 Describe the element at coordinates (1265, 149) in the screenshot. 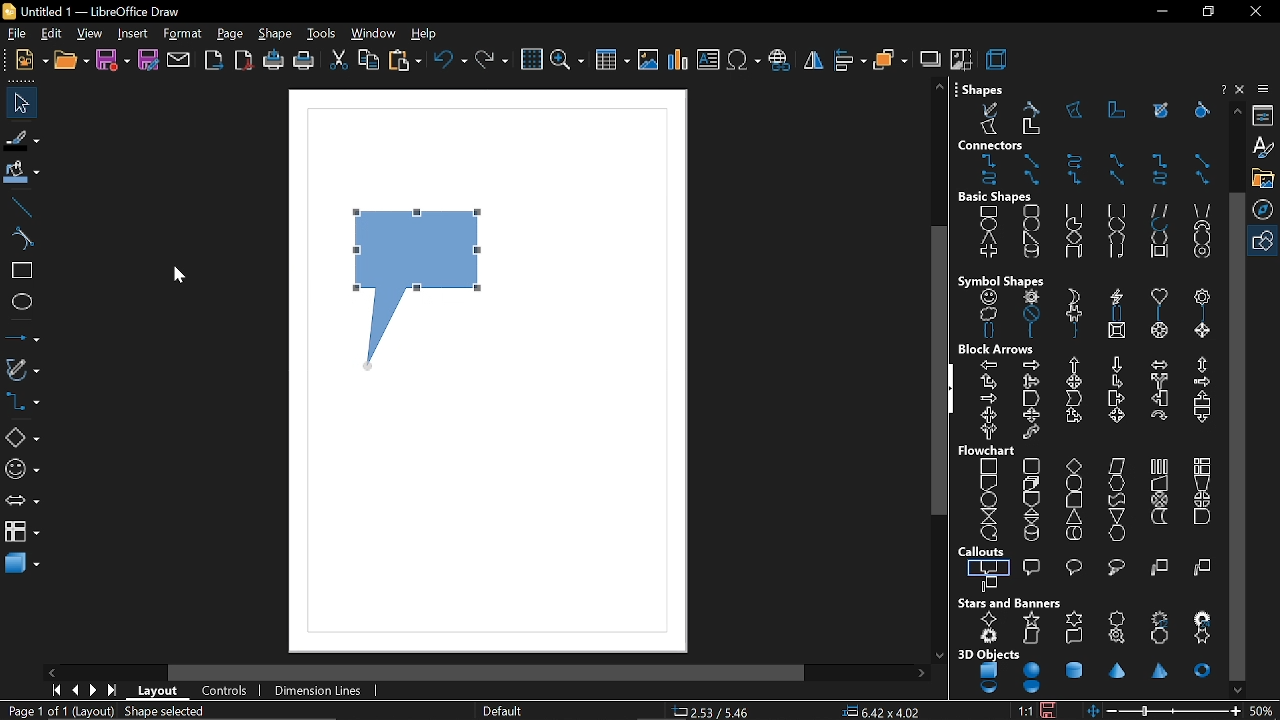

I see `styles` at that location.